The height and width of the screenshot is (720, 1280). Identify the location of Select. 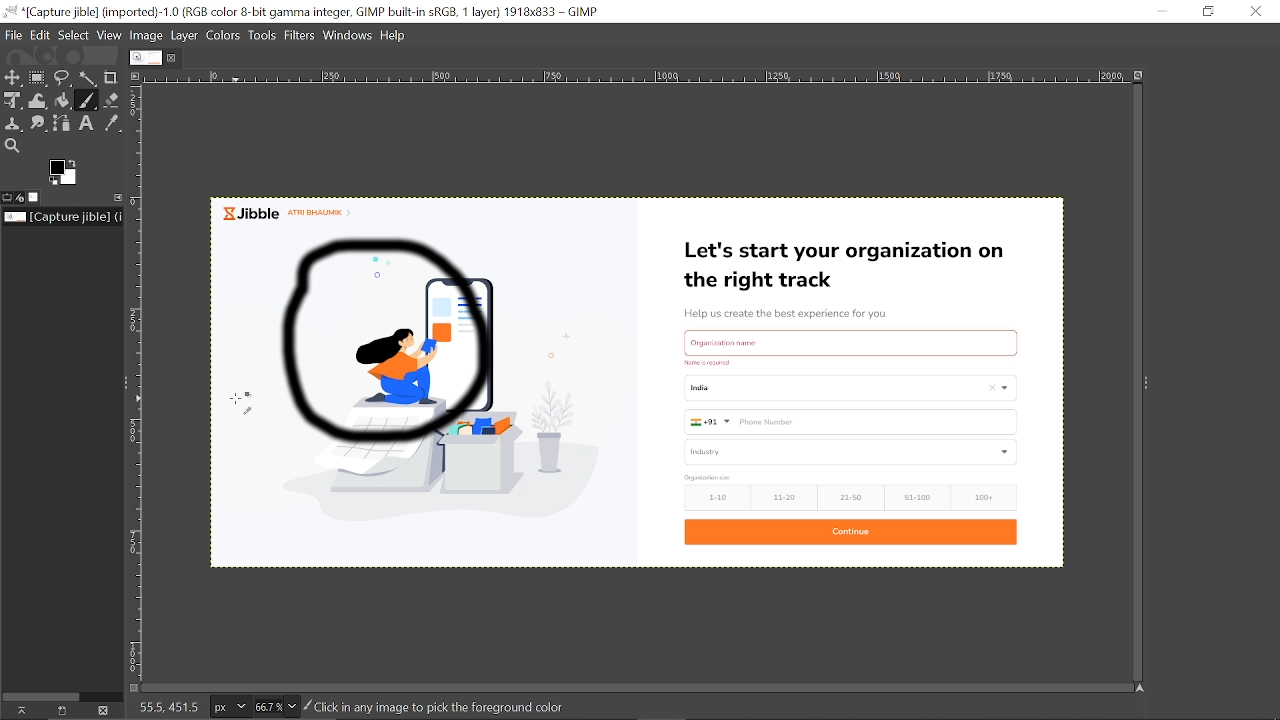
(74, 36).